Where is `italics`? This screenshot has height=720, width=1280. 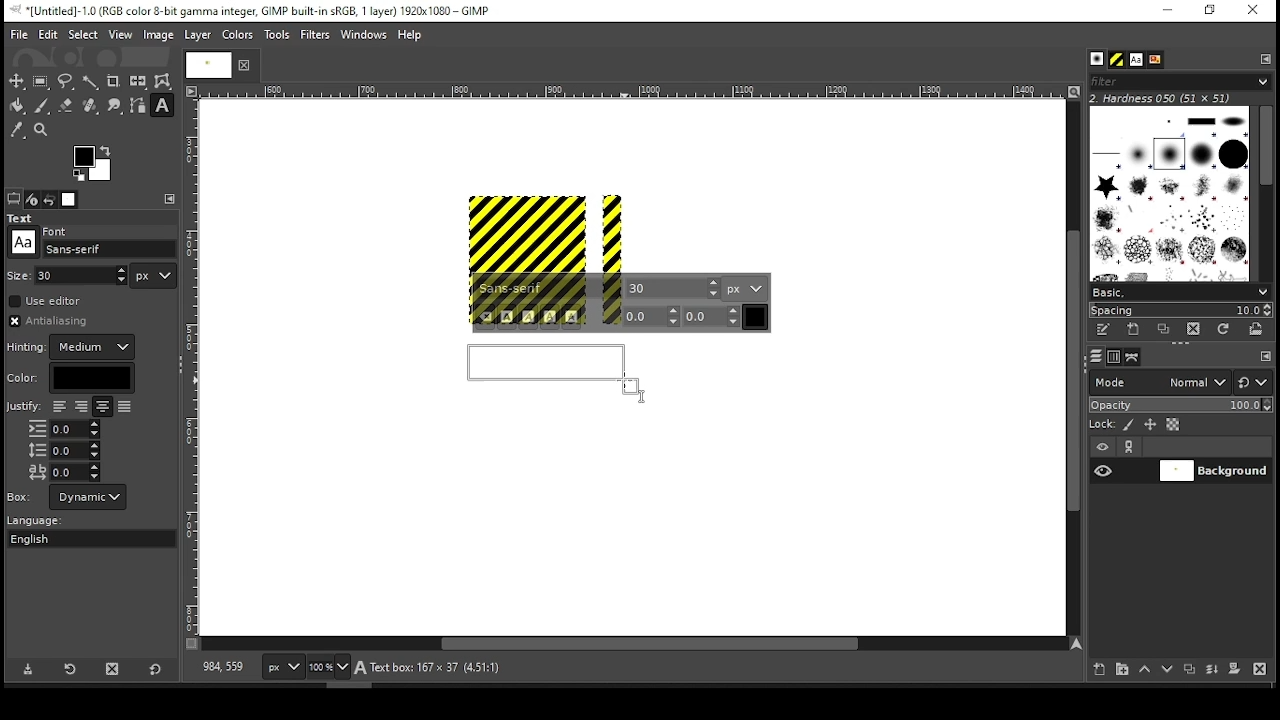 italics is located at coordinates (528, 317).